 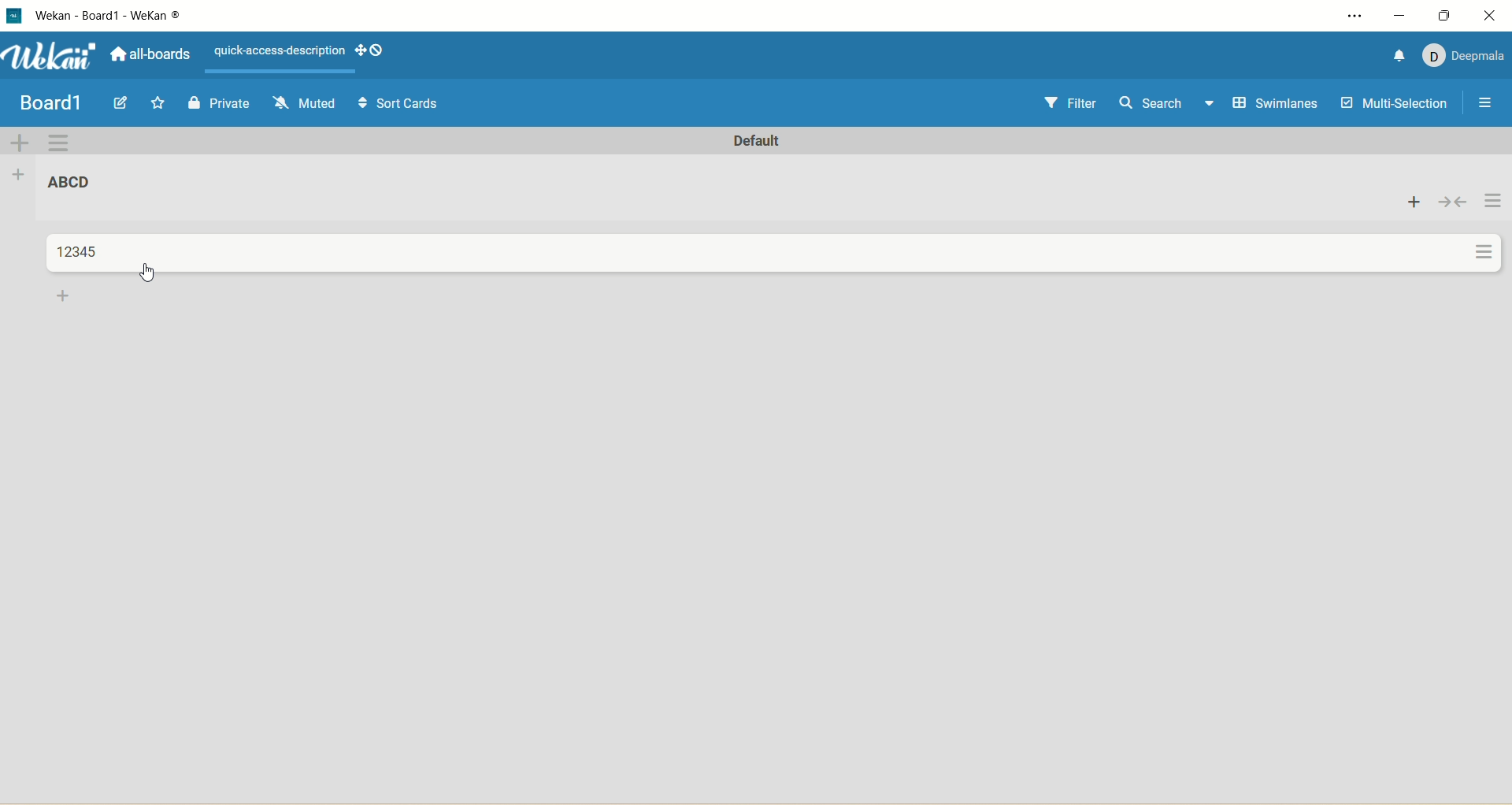 What do you see at coordinates (1392, 104) in the screenshot?
I see `multi-selection` at bounding box center [1392, 104].